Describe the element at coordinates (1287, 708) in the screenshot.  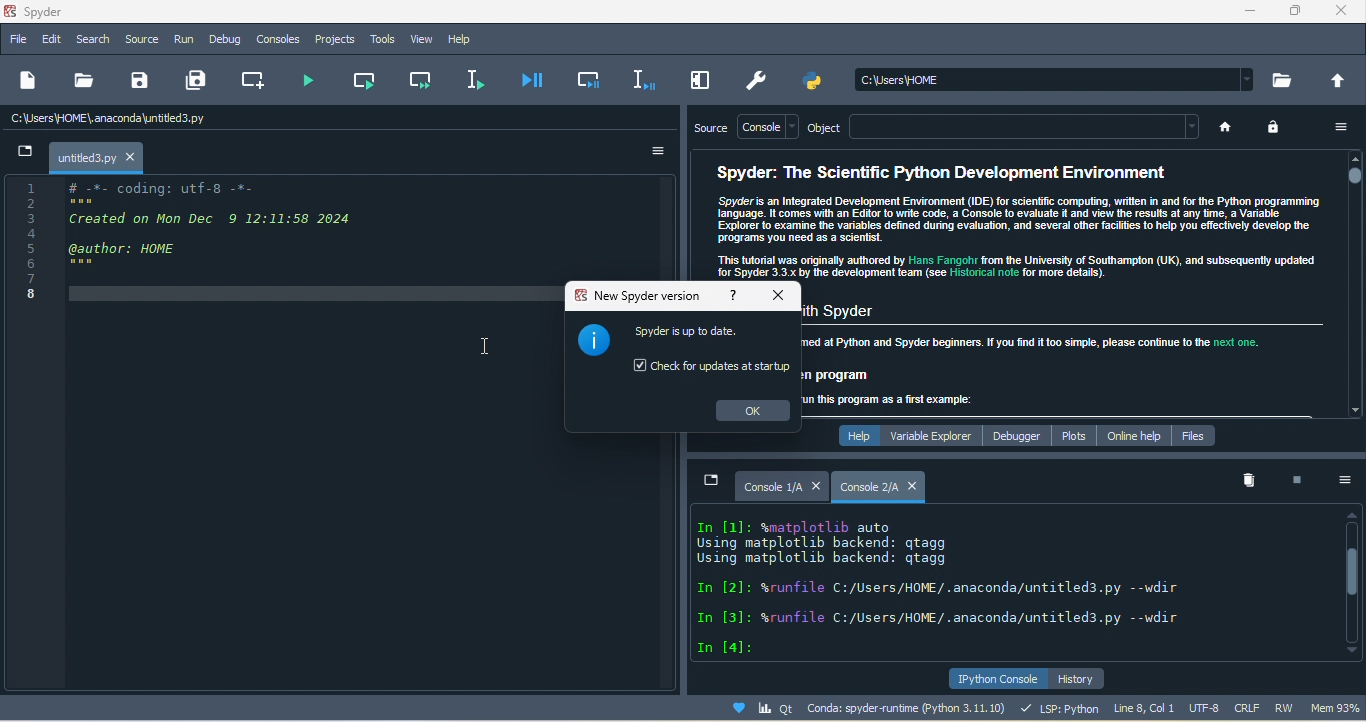
I see `rw` at that location.